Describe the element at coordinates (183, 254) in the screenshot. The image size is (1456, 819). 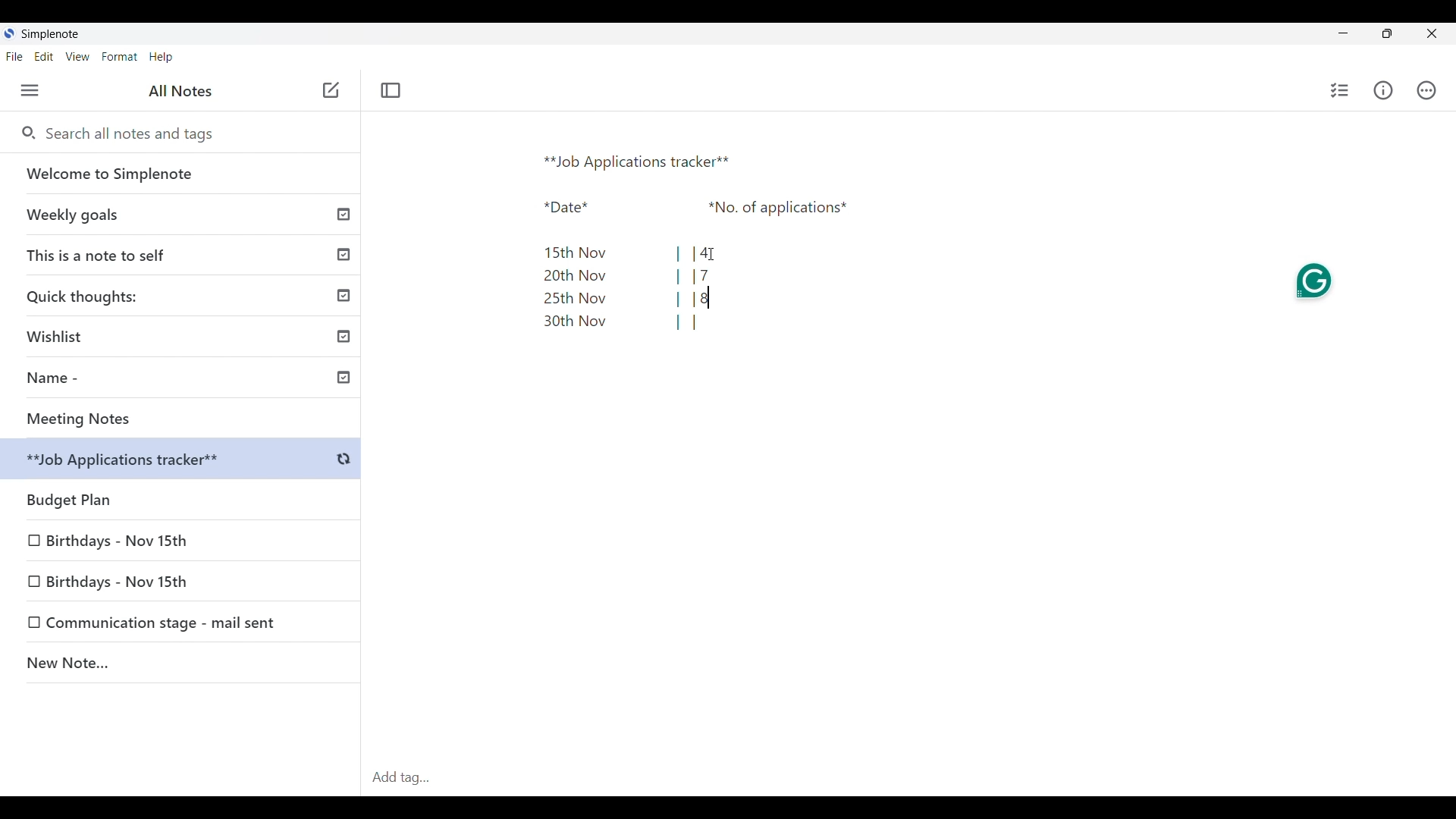
I see `This is a note to self` at that location.